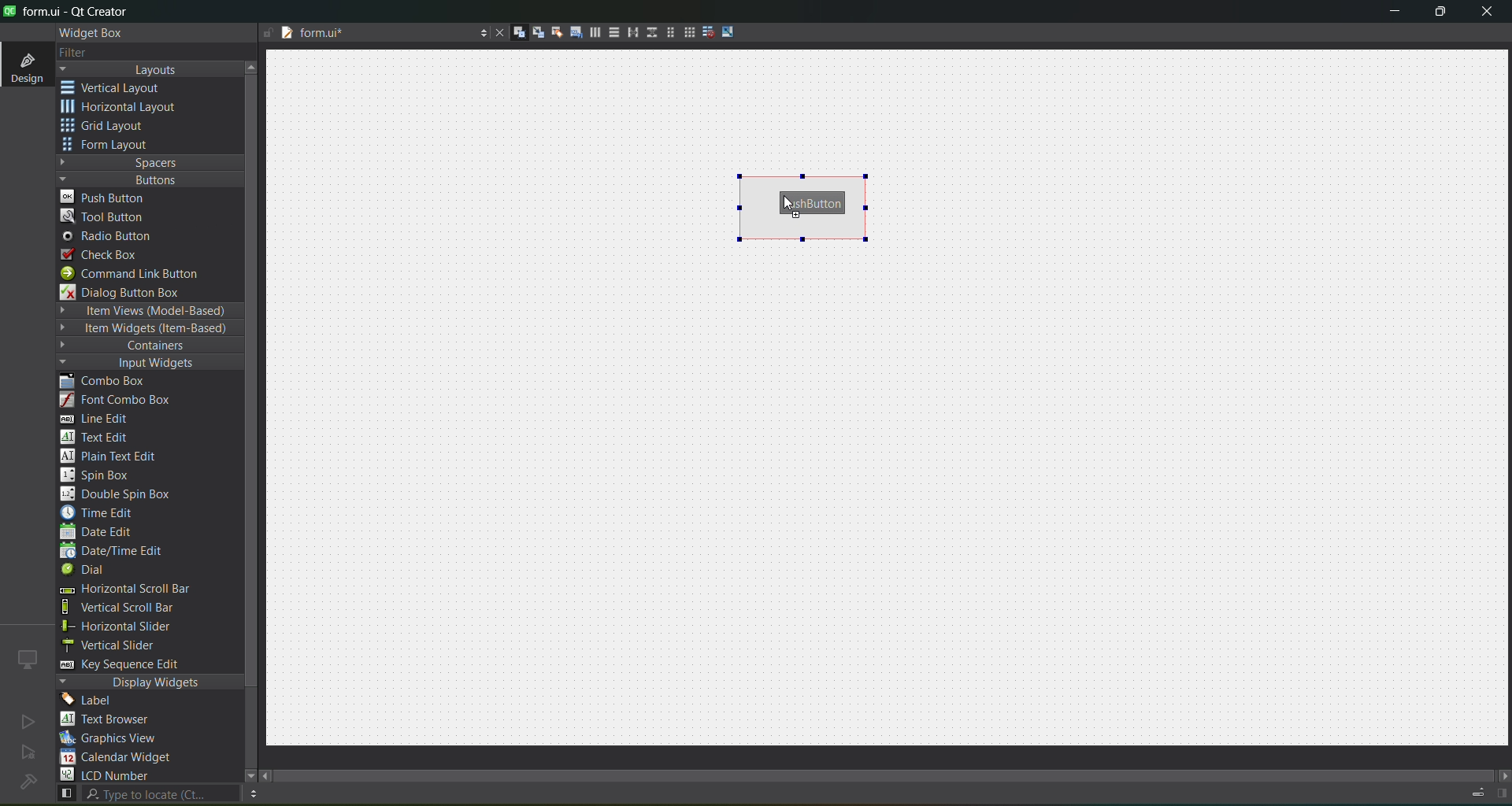 The height and width of the screenshot is (806, 1512). What do you see at coordinates (127, 494) in the screenshot?
I see `double spin box` at bounding box center [127, 494].